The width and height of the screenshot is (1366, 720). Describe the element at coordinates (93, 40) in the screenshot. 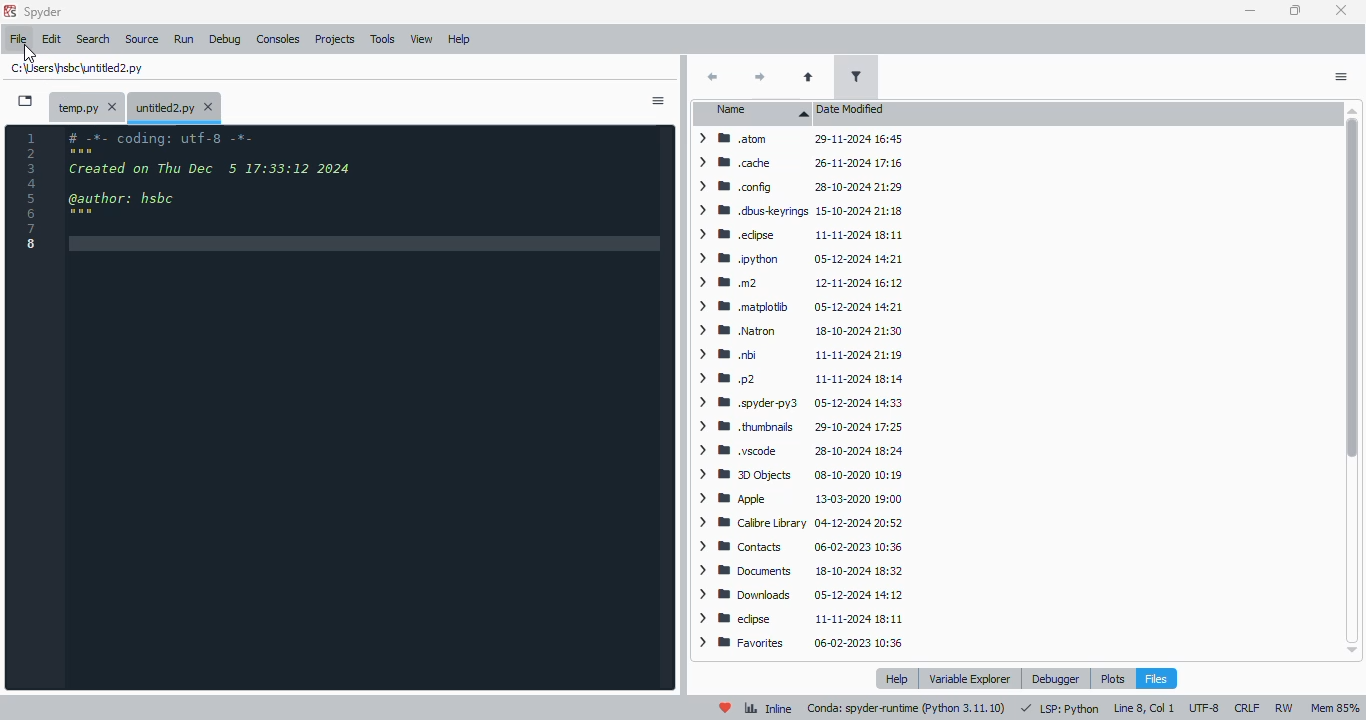

I see `search` at that location.